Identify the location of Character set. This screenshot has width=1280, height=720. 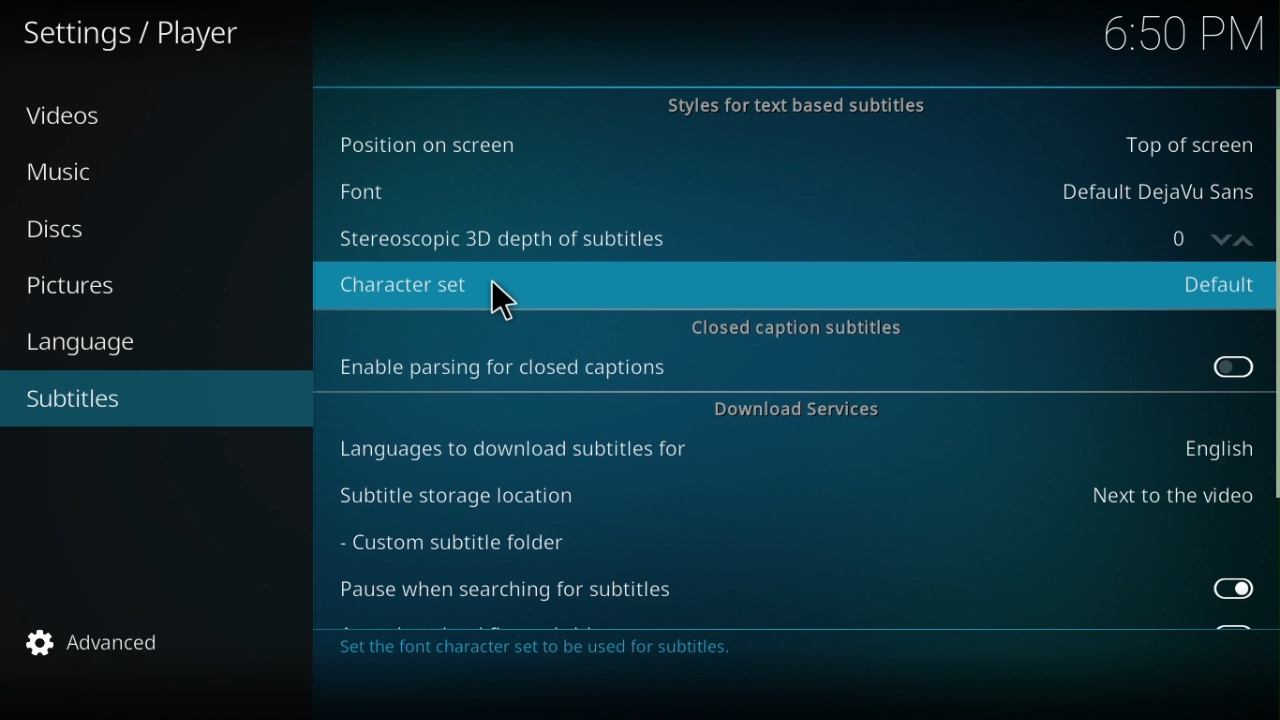
(789, 279).